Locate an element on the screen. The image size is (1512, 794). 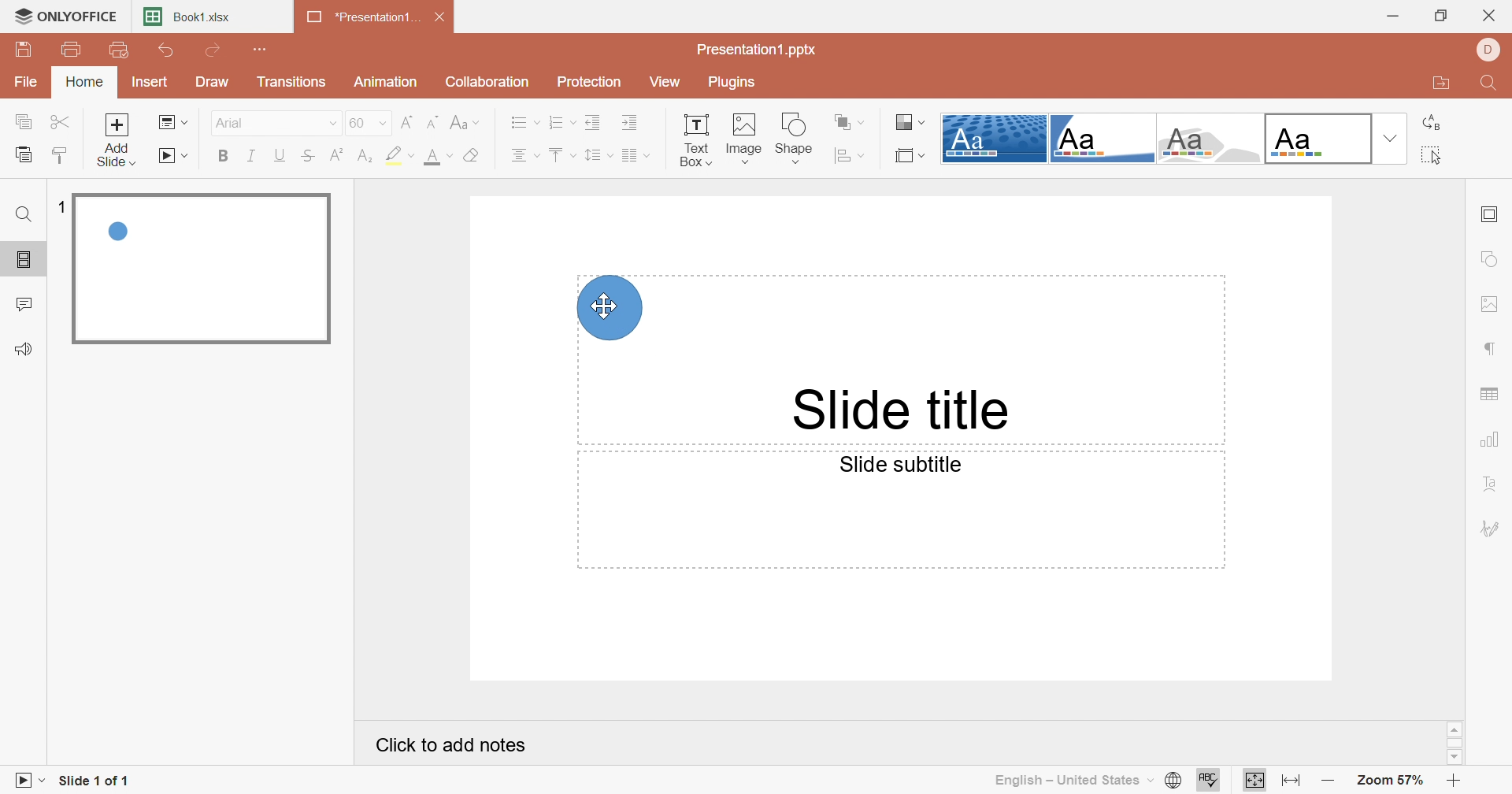
Strikethrough is located at coordinates (309, 154).